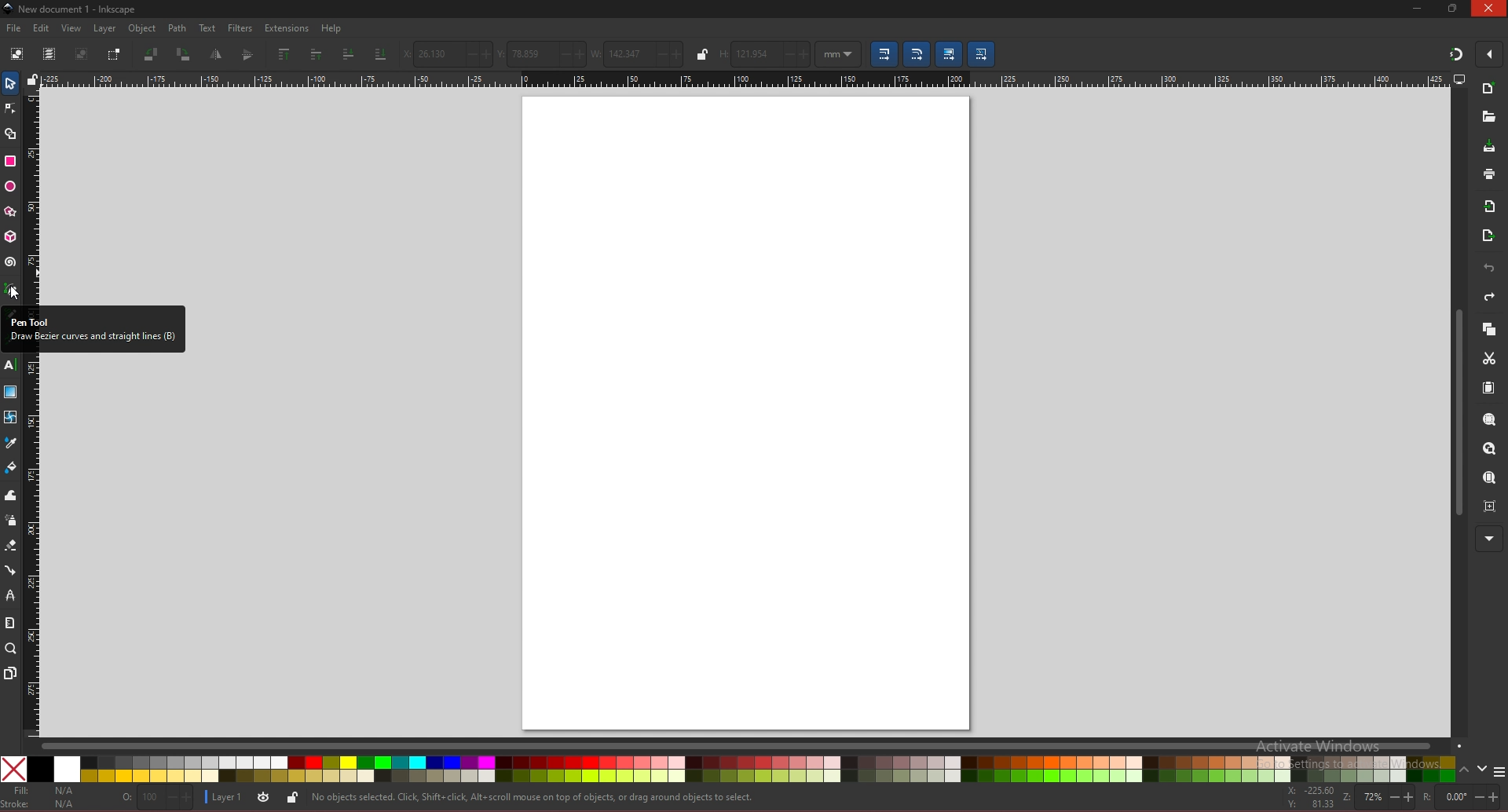 This screenshot has width=1508, height=812. Describe the element at coordinates (217, 54) in the screenshot. I see `flip horizontal` at that location.